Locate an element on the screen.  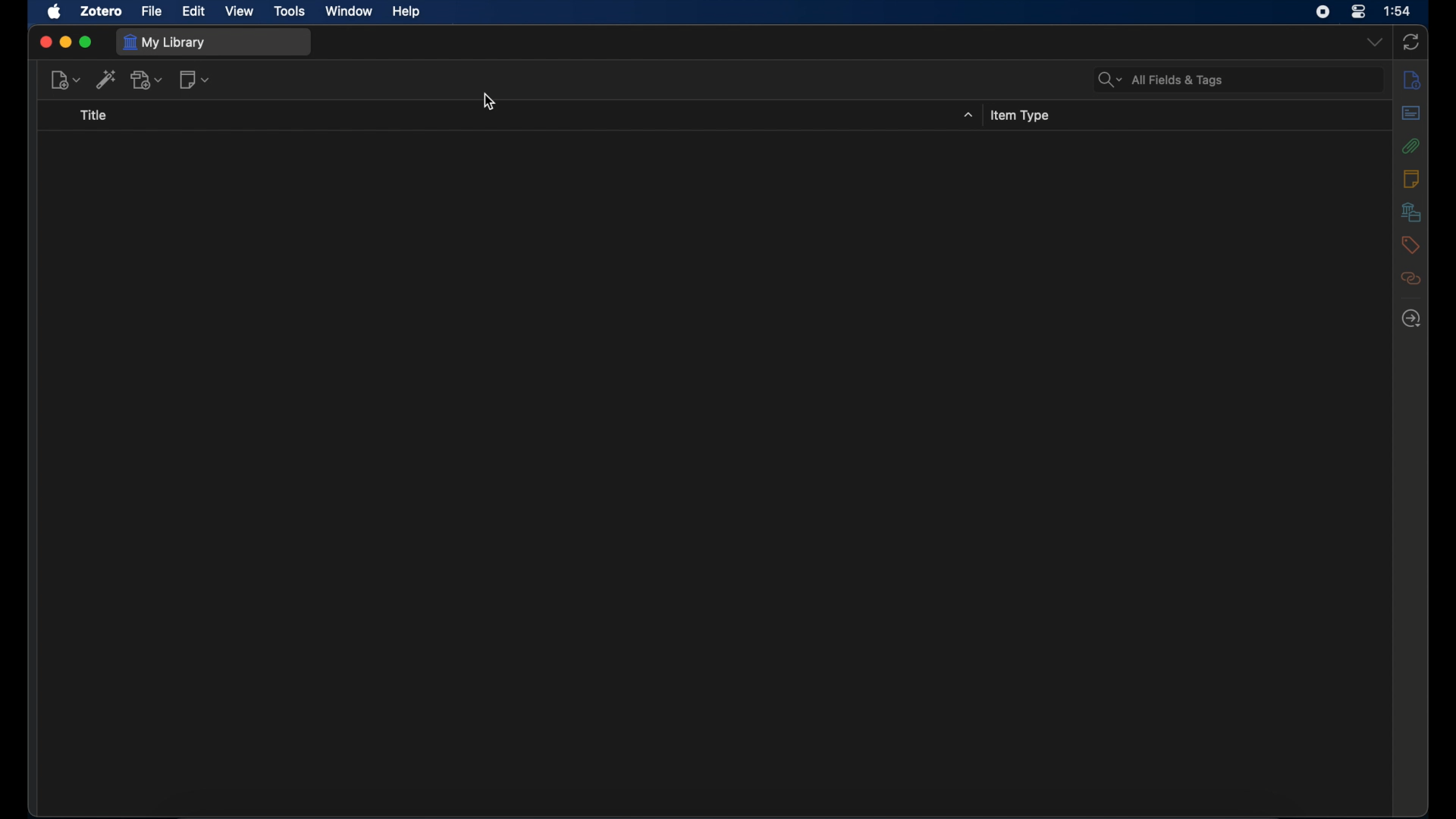
file is located at coordinates (152, 11).